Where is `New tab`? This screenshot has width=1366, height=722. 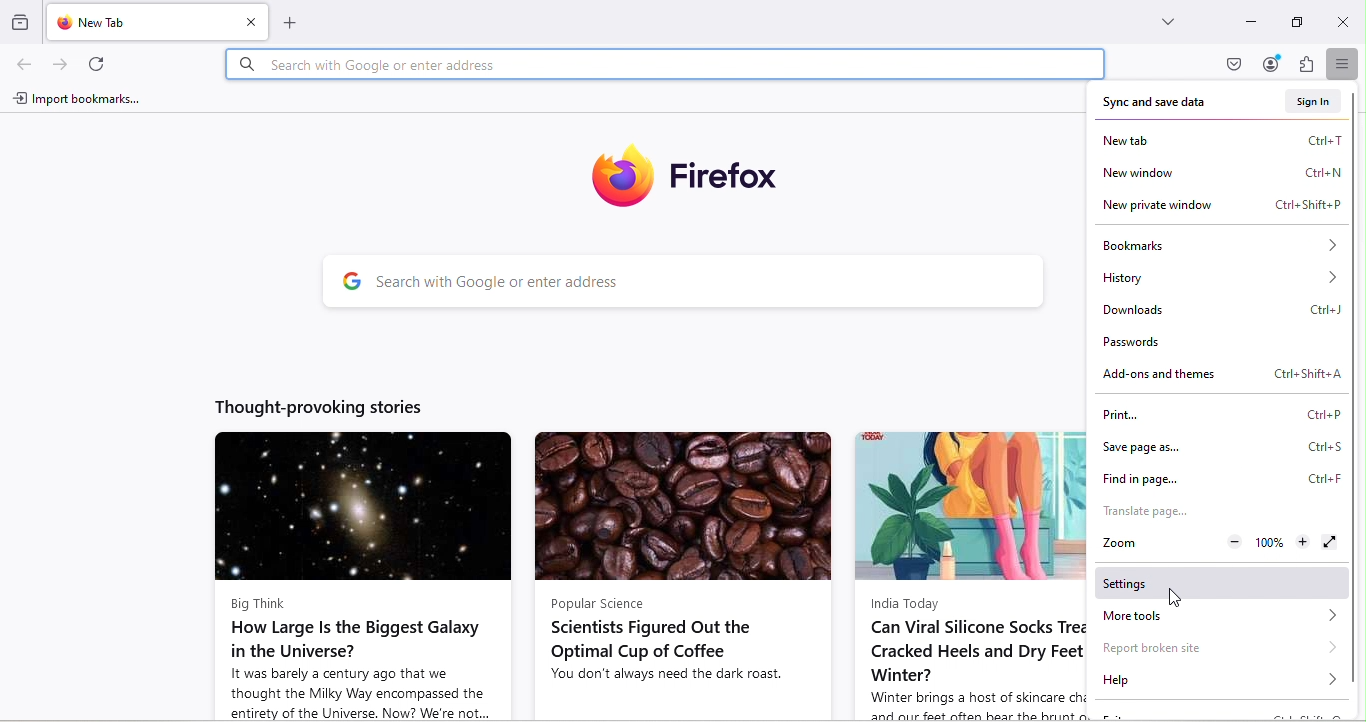
New tab is located at coordinates (1220, 141).